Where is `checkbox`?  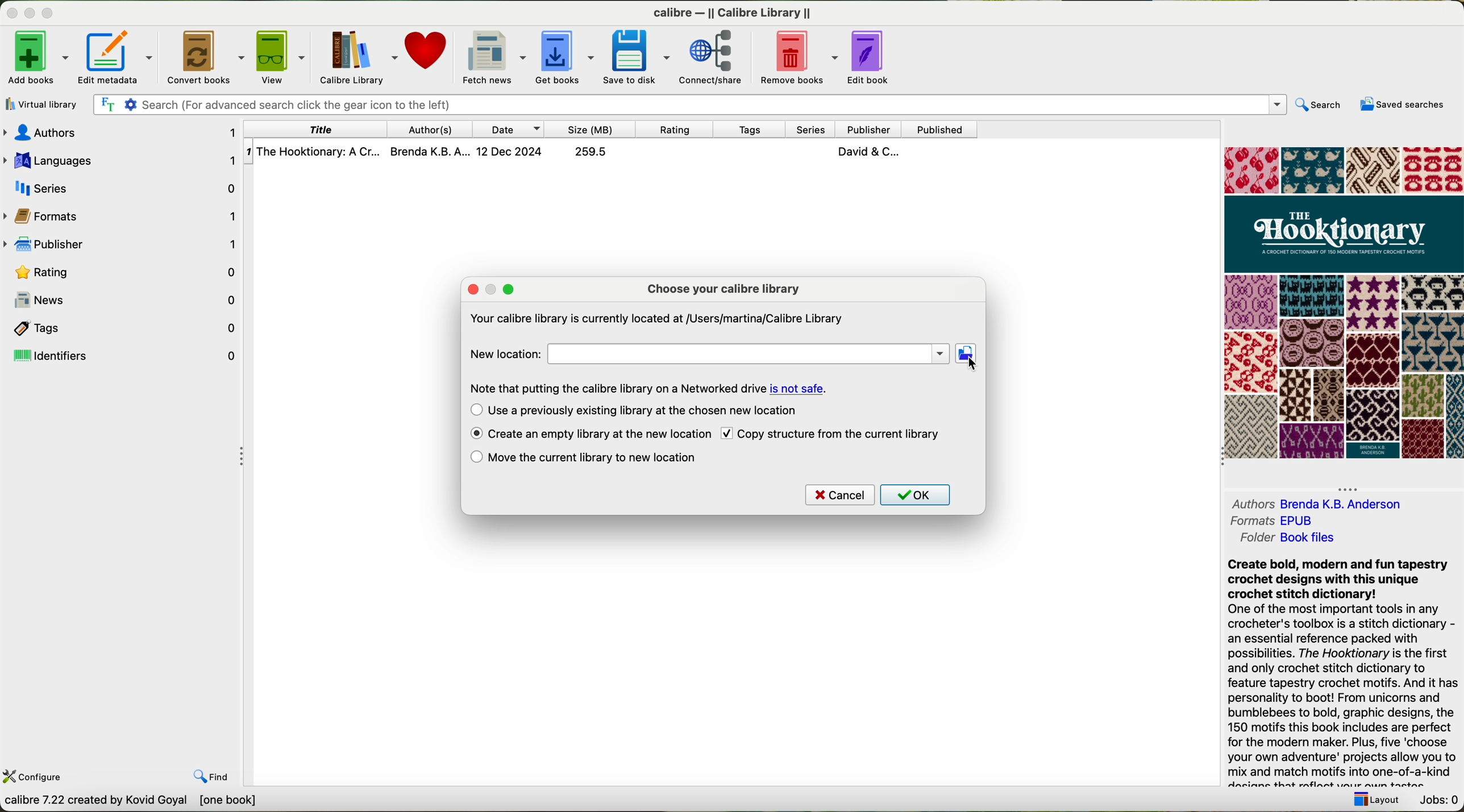 checkbox is located at coordinates (474, 409).